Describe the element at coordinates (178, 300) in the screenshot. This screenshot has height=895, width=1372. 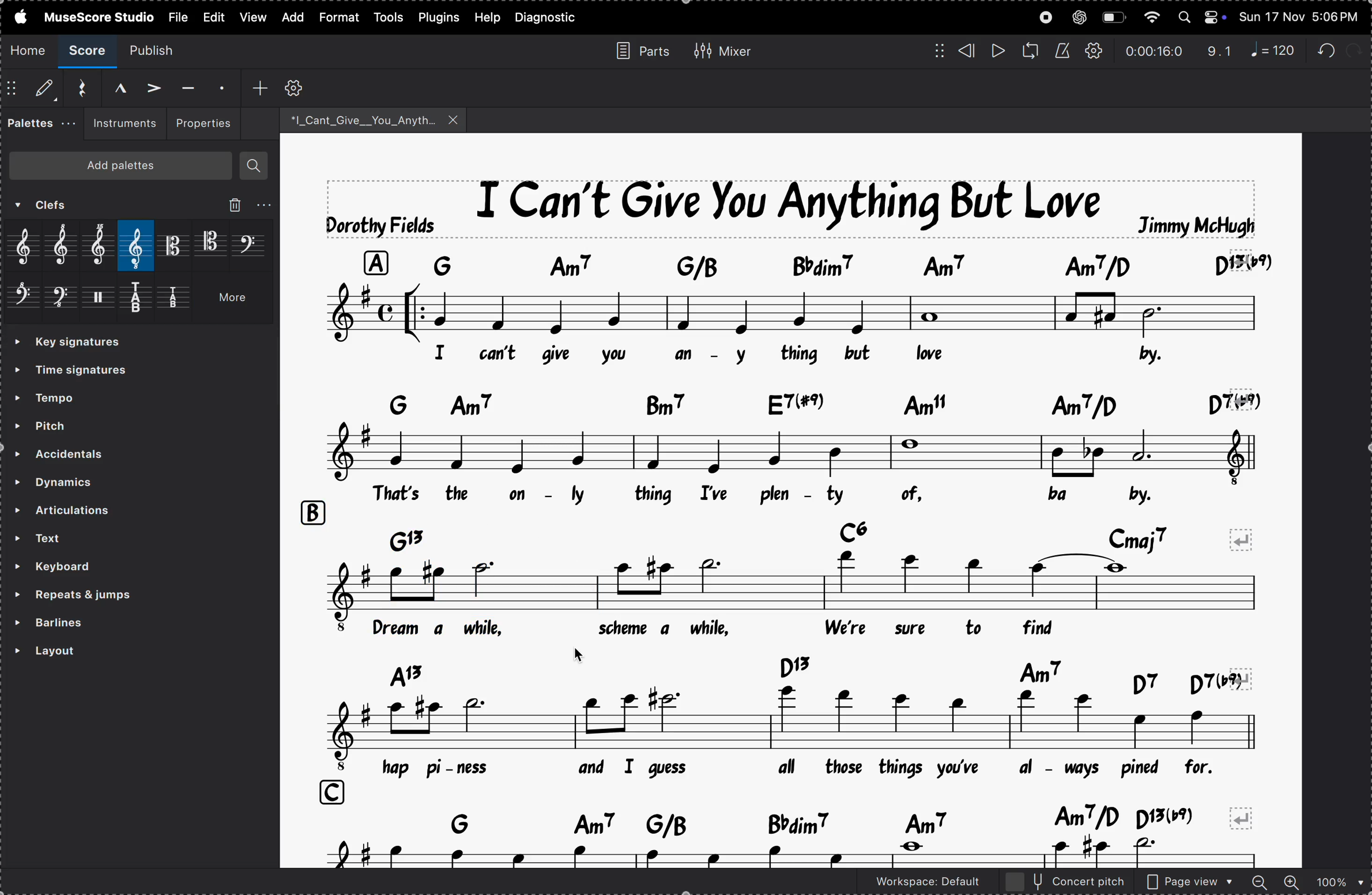
I see `tablature 4lines` at that location.